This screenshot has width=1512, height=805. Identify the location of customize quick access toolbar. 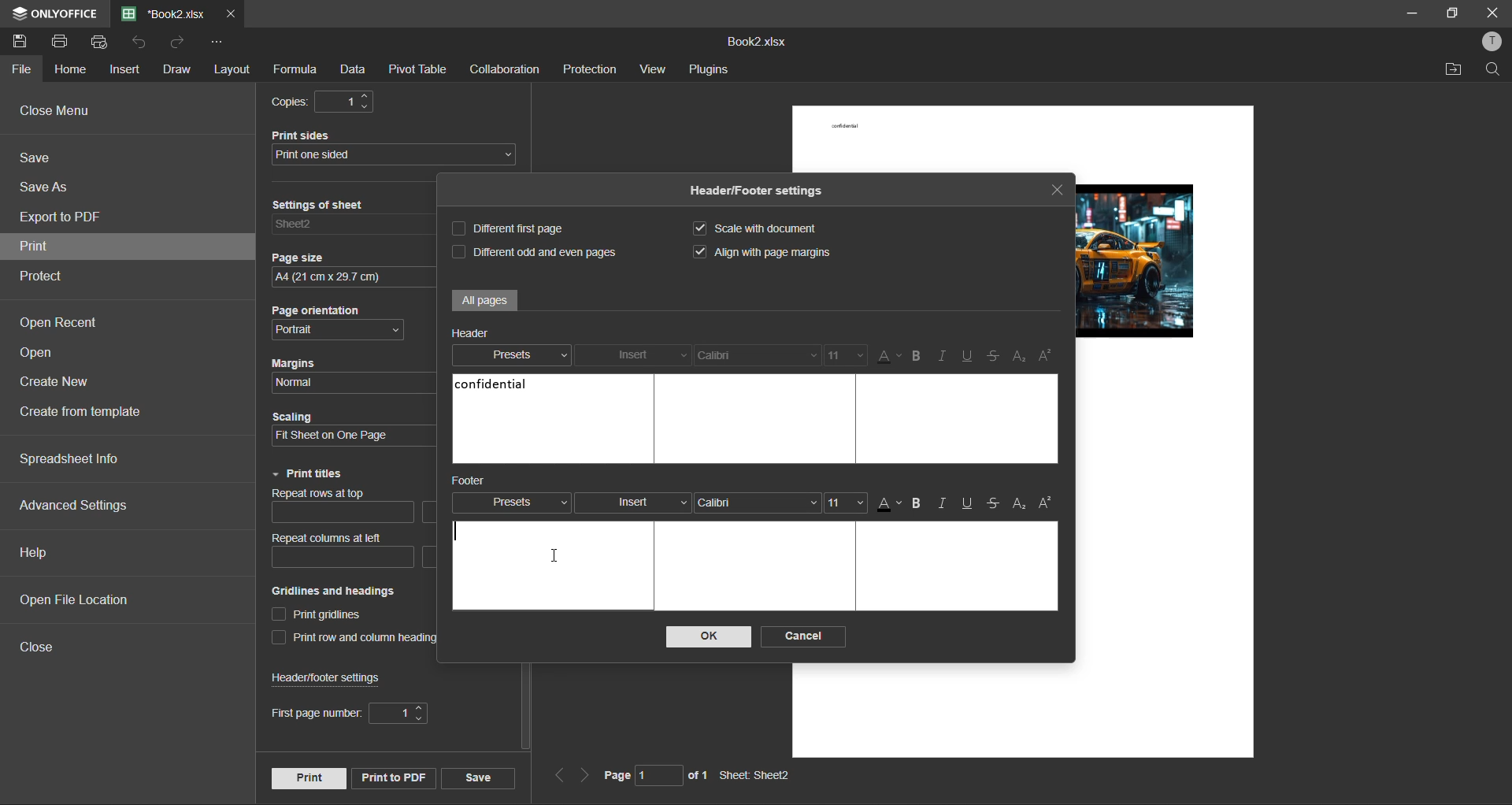
(216, 42).